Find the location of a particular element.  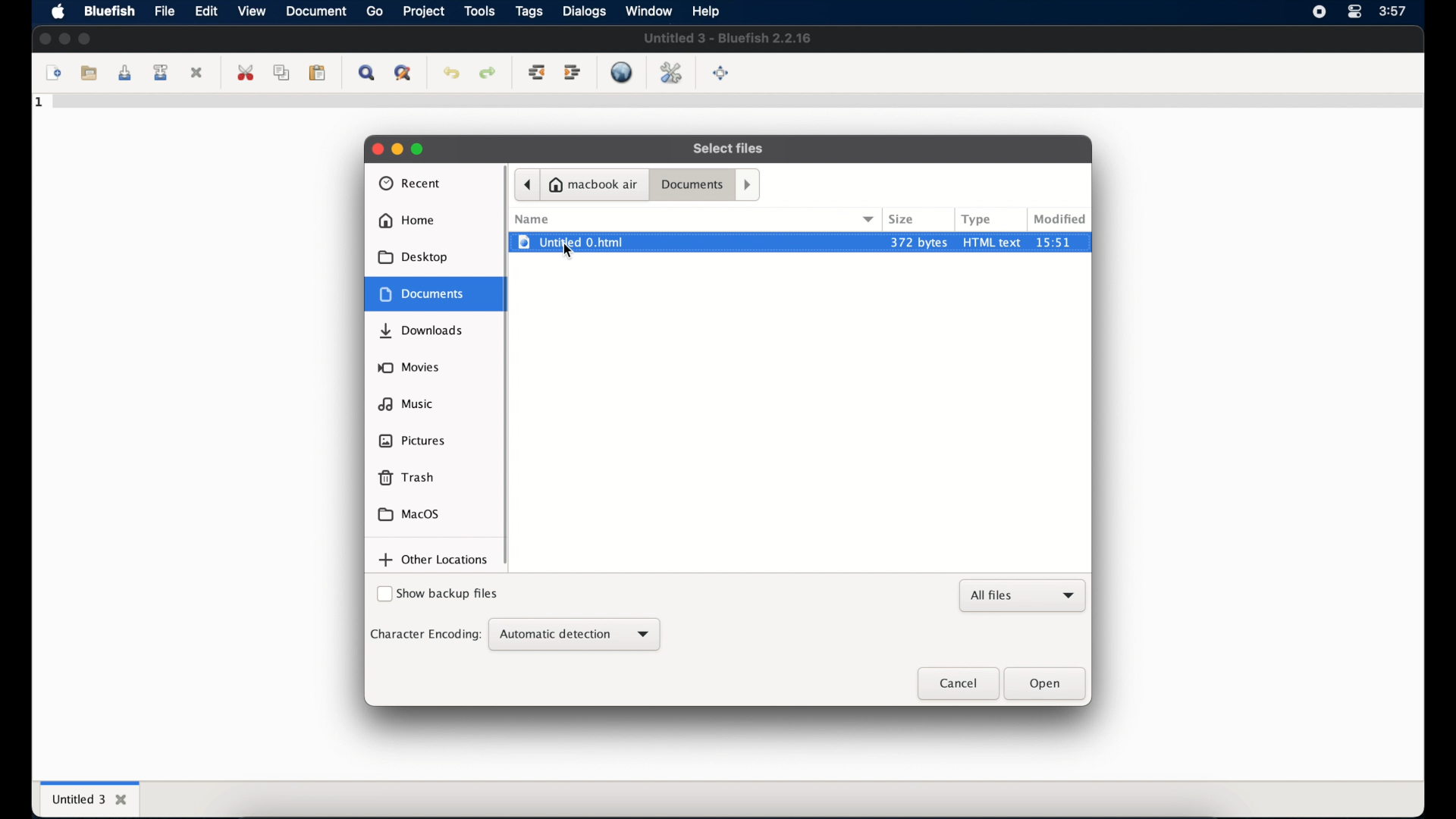

view is located at coordinates (251, 11).